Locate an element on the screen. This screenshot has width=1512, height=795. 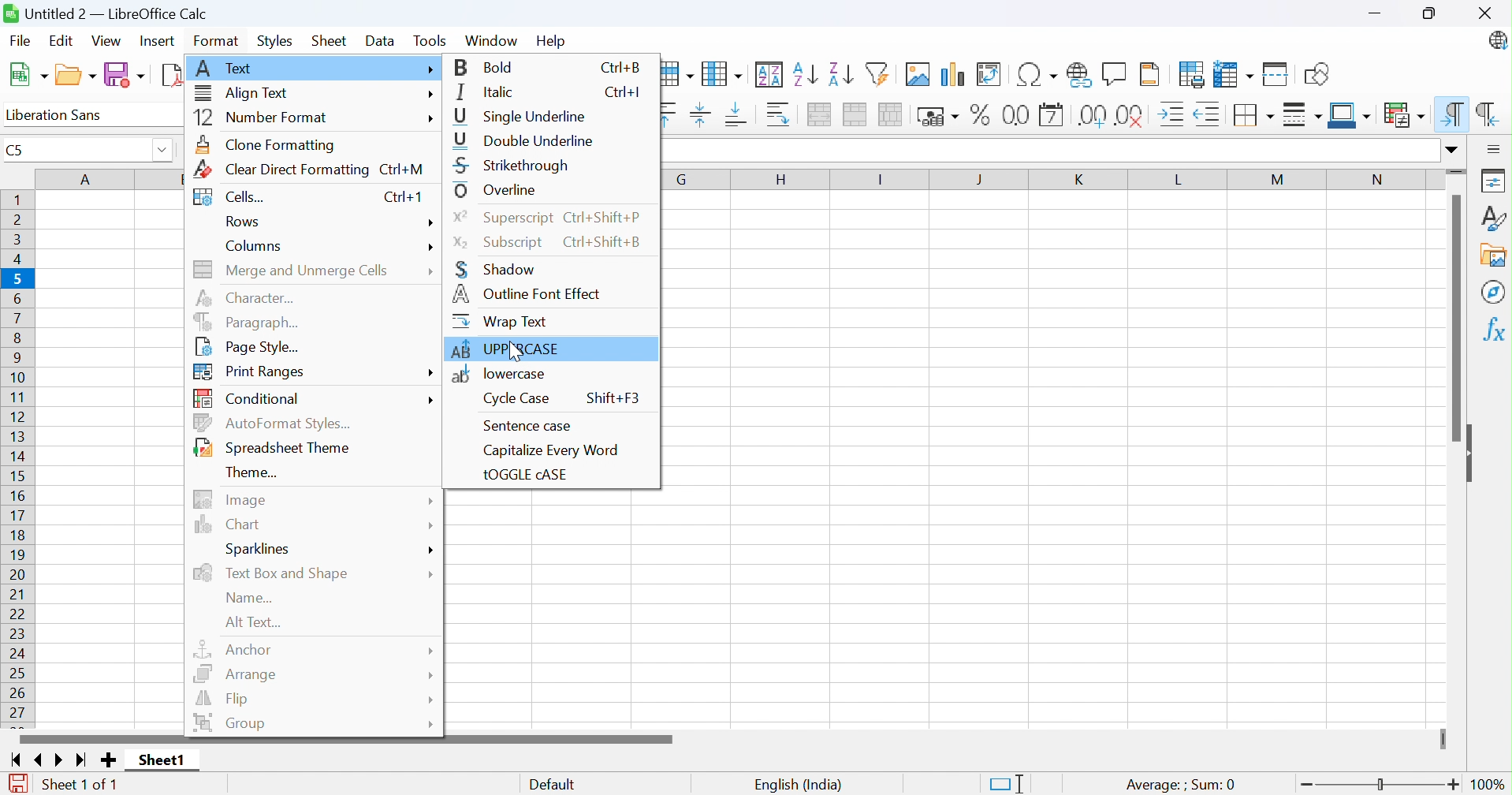
help is located at coordinates (549, 42).